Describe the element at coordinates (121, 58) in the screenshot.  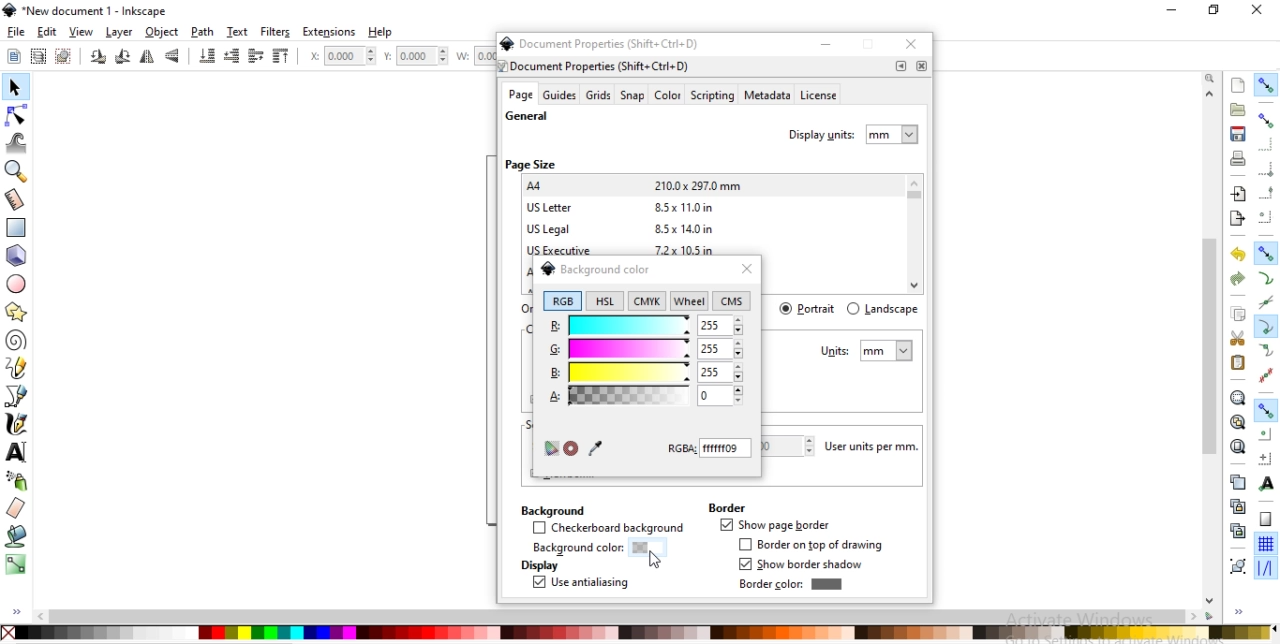
I see `rotate 90 clockwise` at that location.